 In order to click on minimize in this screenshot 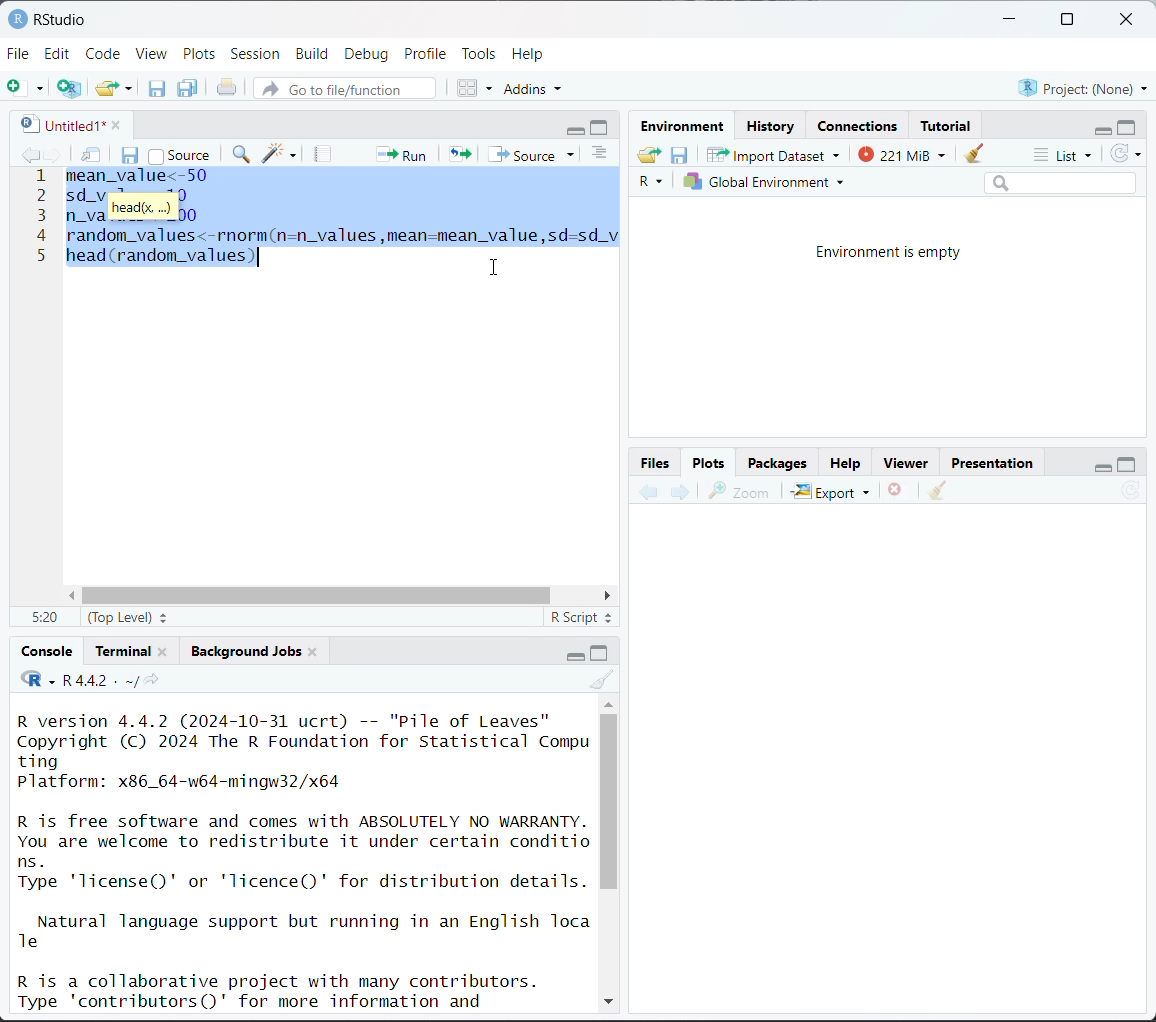, I will do `click(1011, 20)`.